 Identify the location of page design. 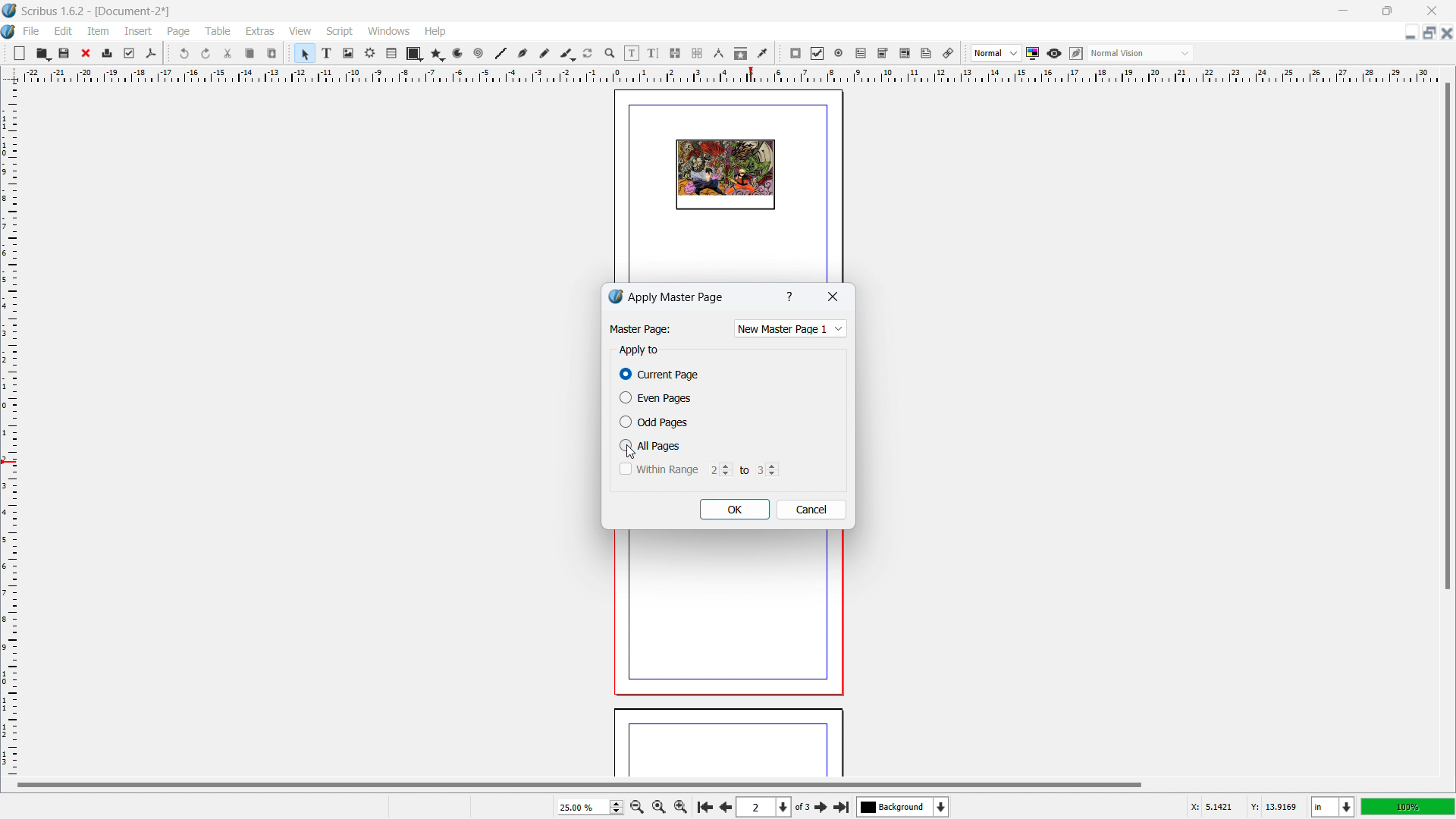
(725, 175).